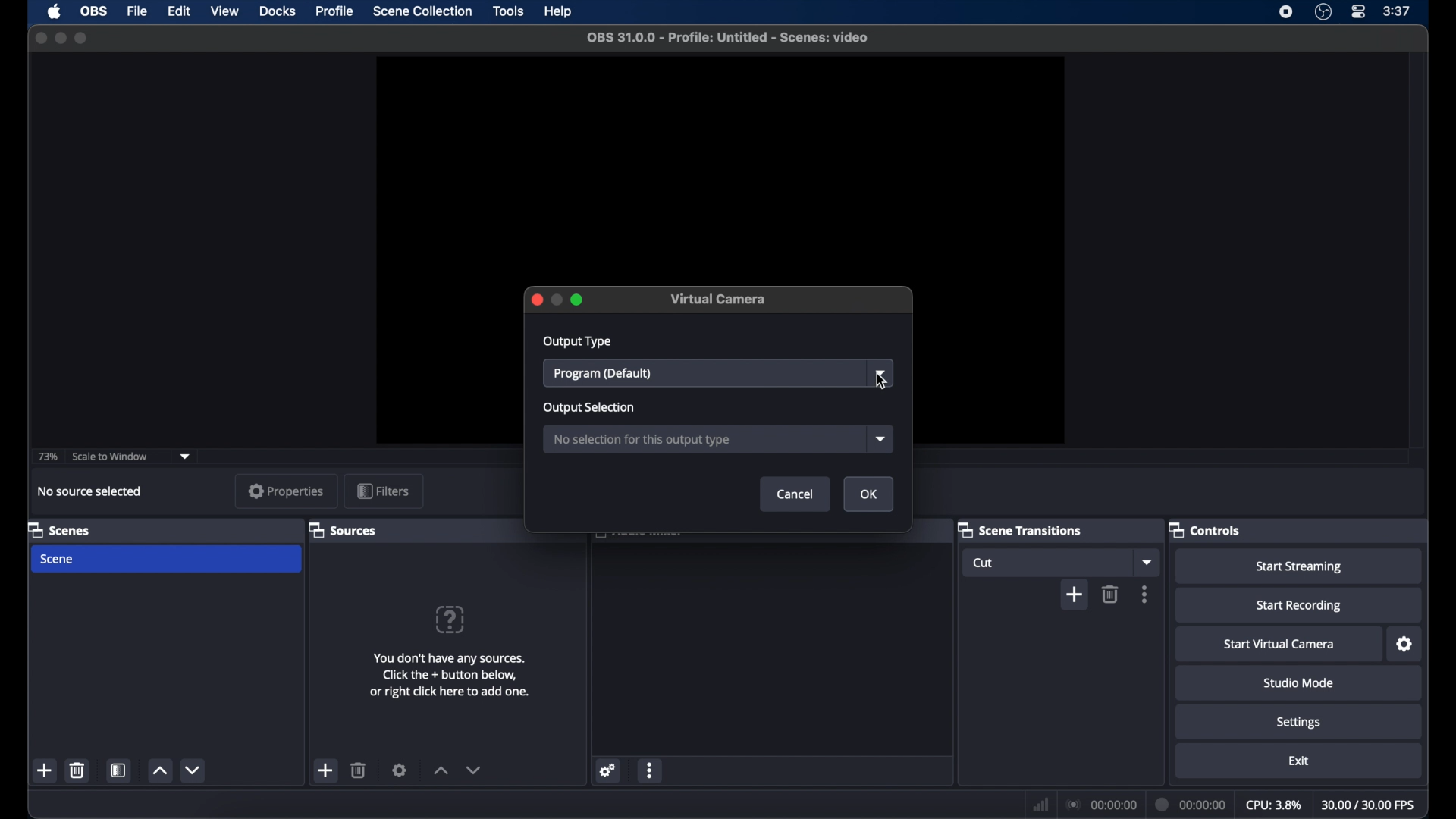 The height and width of the screenshot is (819, 1456). Describe the element at coordinates (1039, 803) in the screenshot. I see `netwrok` at that location.